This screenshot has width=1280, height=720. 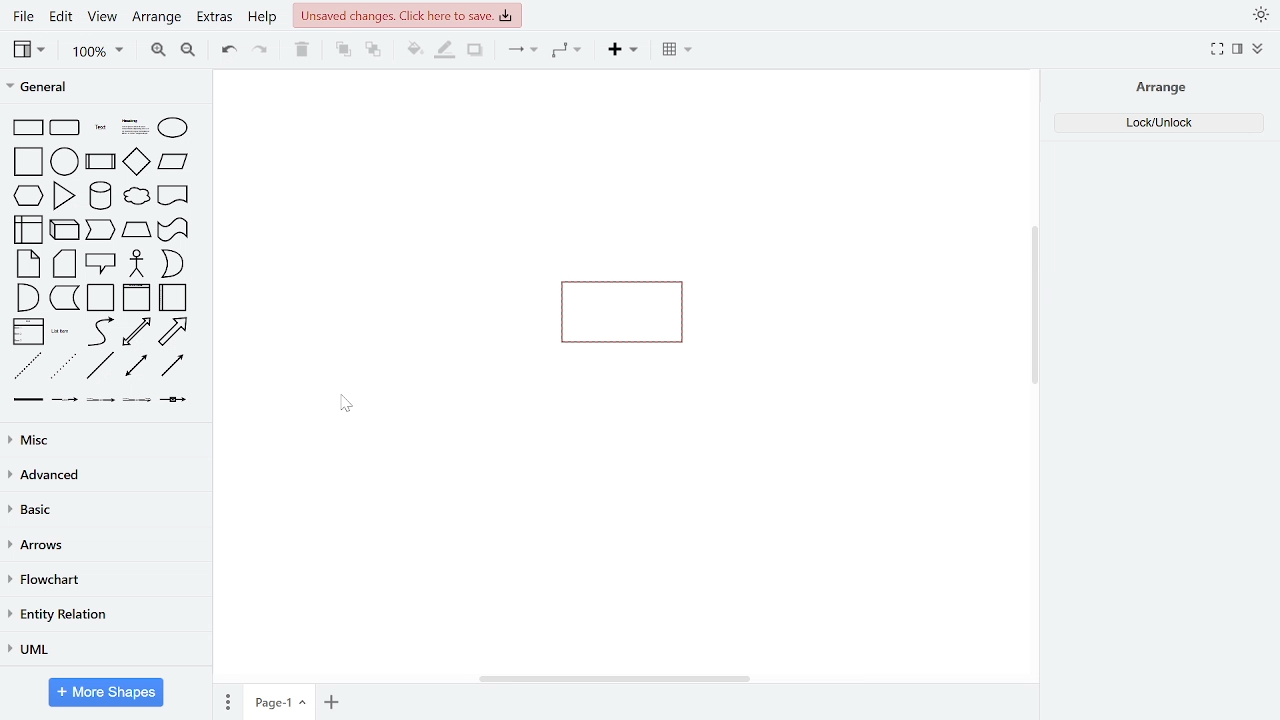 I want to click on connector with 2 label, so click(x=101, y=399).